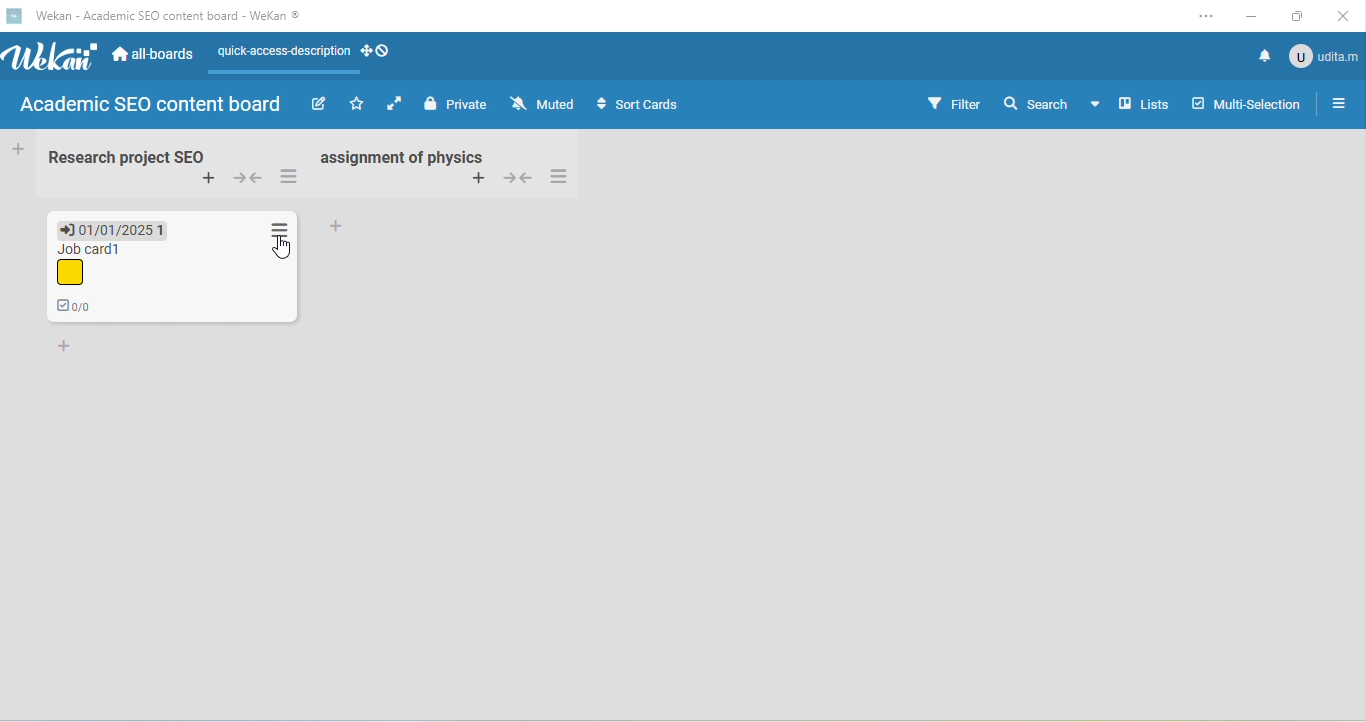  What do you see at coordinates (478, 179) in the screenshot?
I see `add` at bounding box center [478, 179].